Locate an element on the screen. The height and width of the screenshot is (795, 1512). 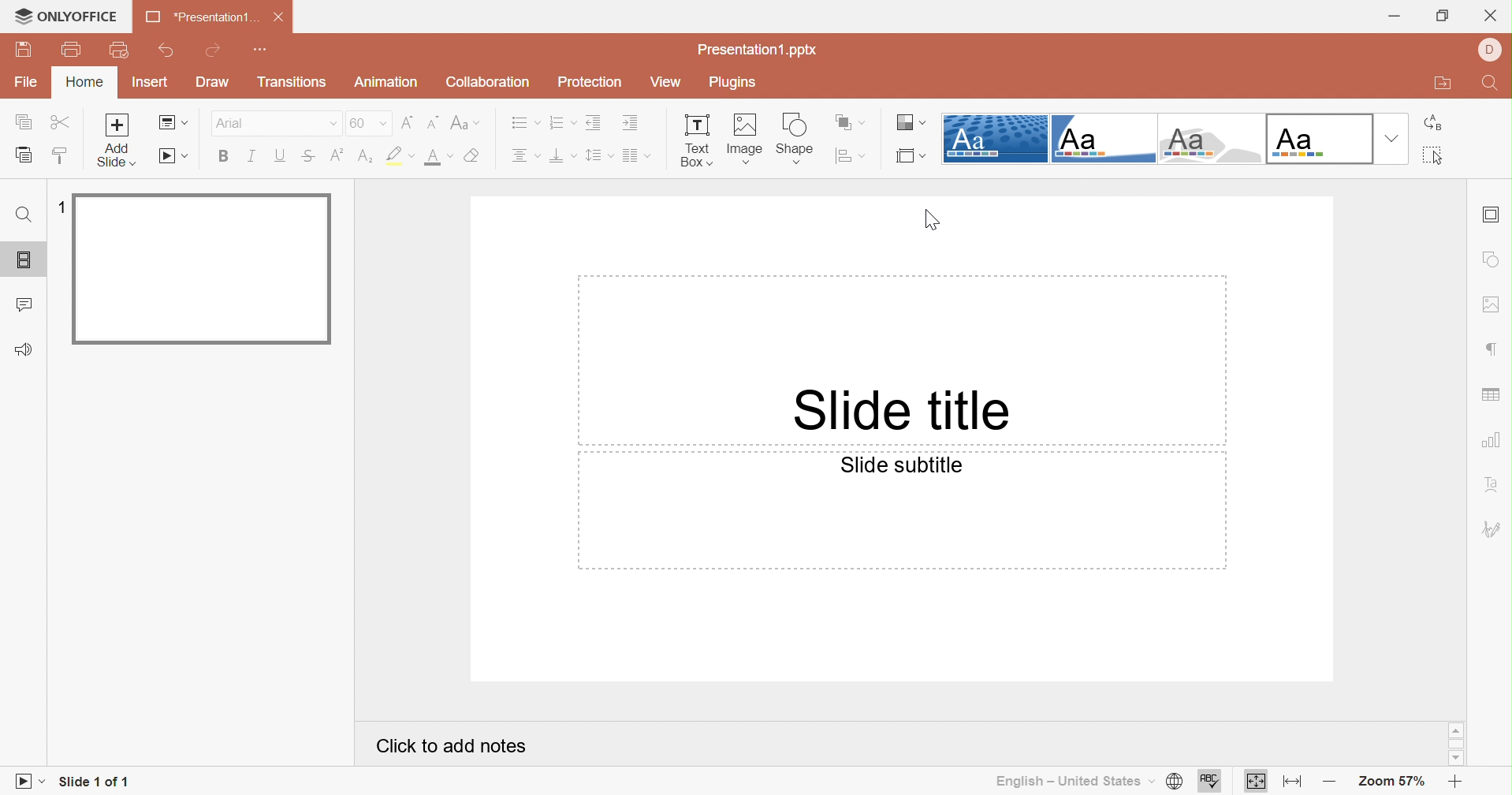
Print file is located at coordinates (74, 48).